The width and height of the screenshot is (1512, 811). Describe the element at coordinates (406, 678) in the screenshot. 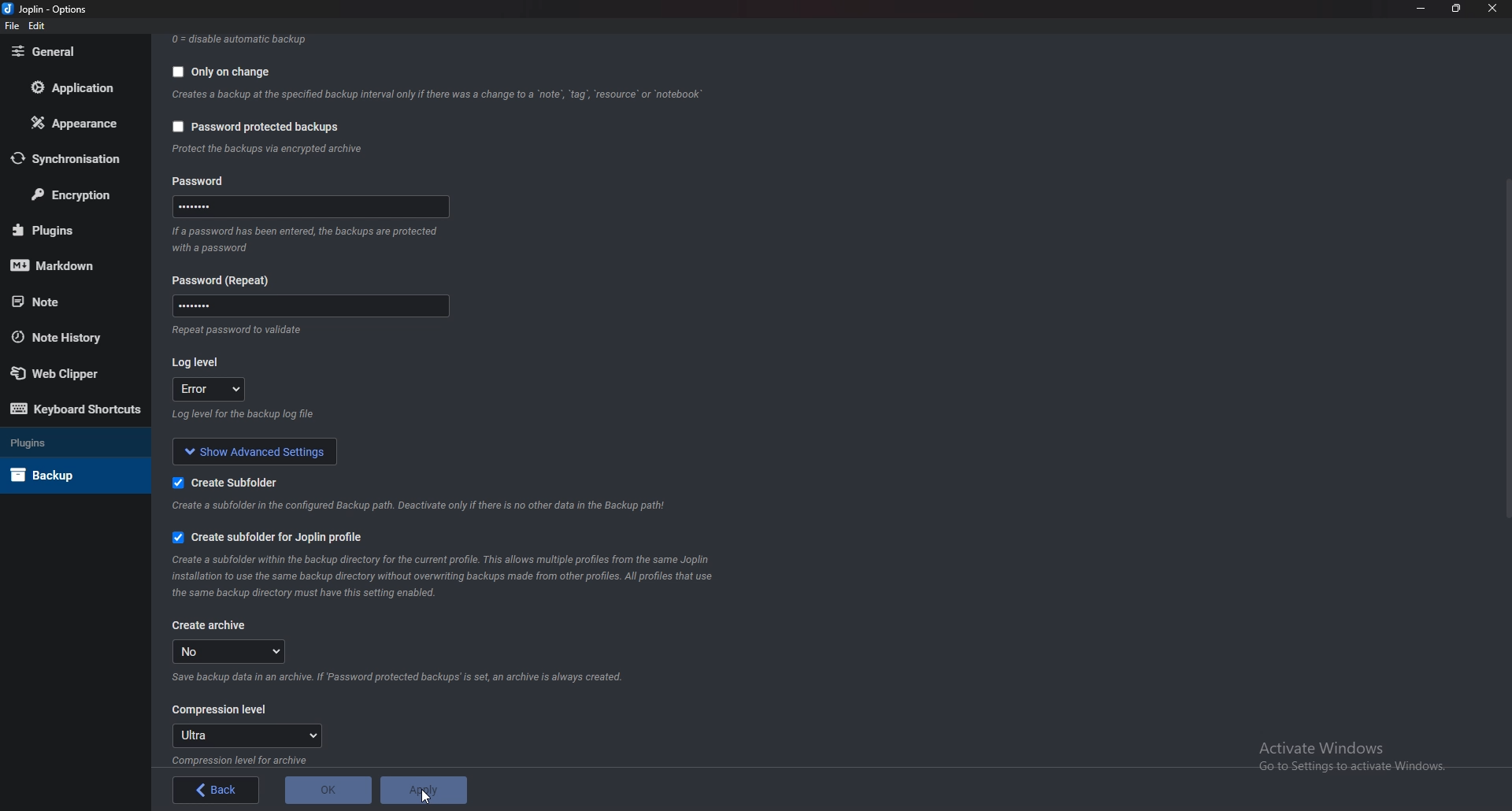

I see `Info` at that location.